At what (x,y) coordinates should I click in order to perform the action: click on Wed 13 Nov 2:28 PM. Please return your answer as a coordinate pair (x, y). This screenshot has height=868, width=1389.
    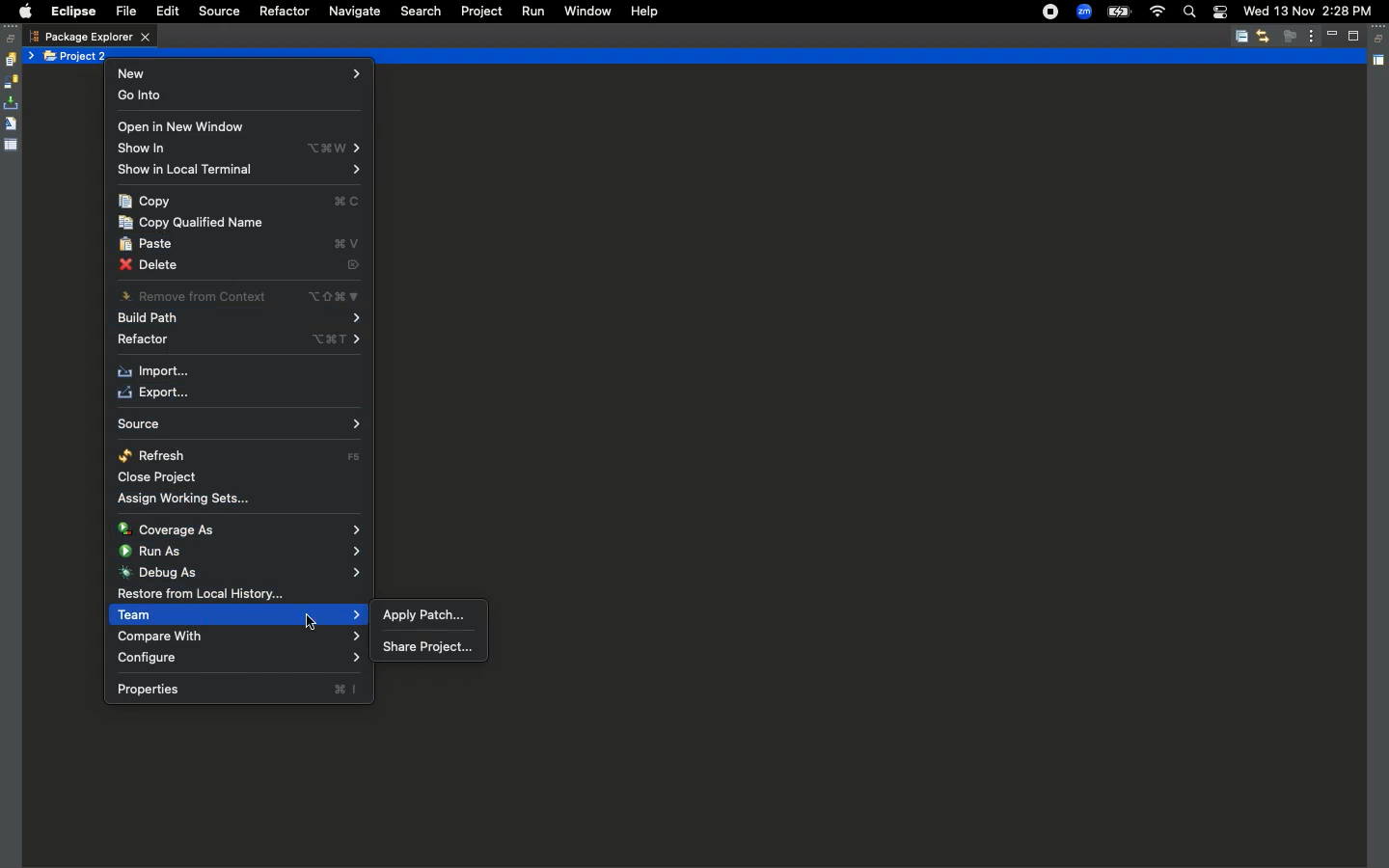
    Looking at the image, I should click on (1307, 10).